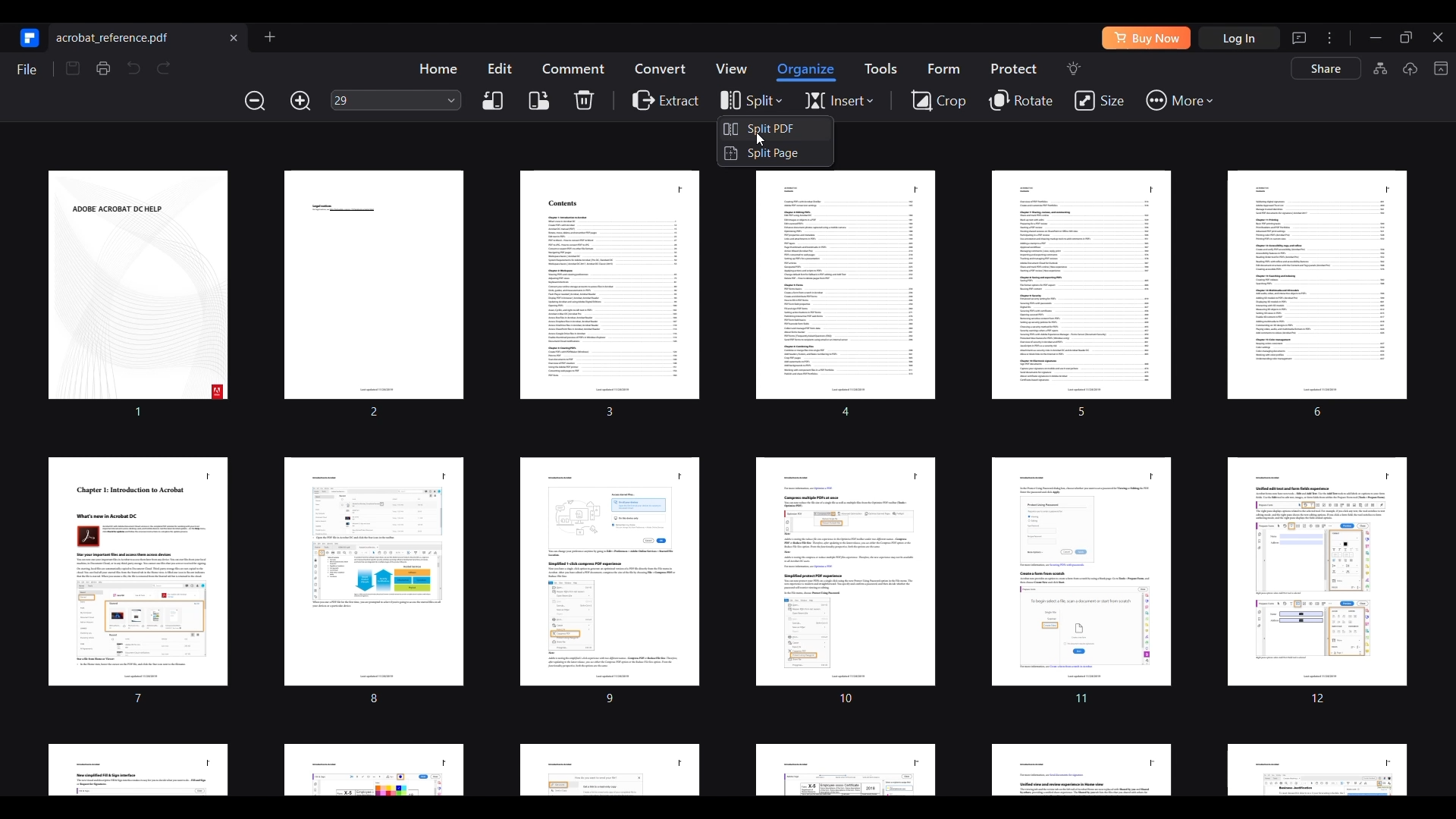 This screenshot has width=1456, height=819. Describe the element at coordinates (880, 68) in the screenshot. I see `Tools` at that location.